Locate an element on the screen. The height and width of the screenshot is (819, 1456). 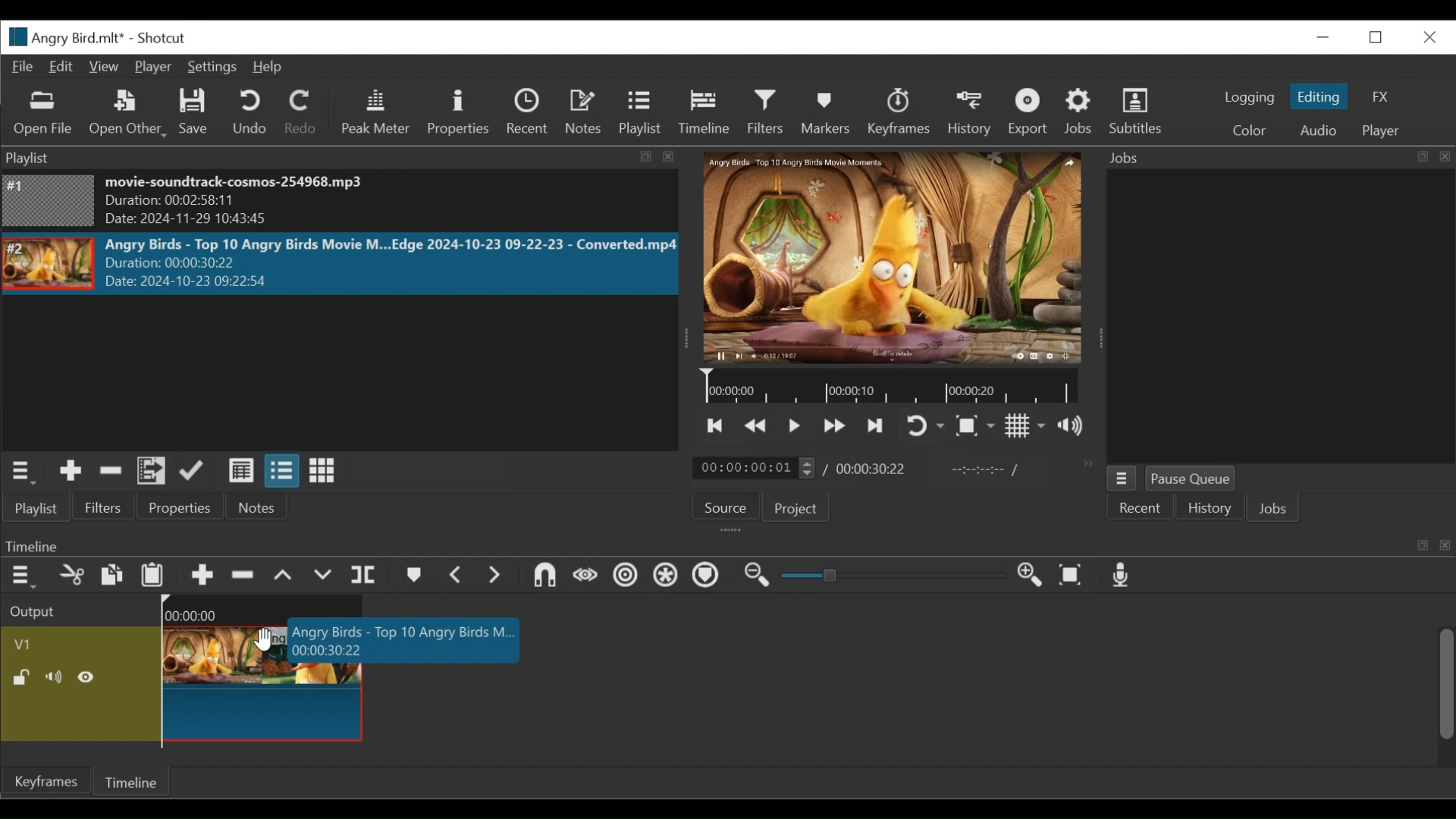
Ripple all tracks is located at coordinates (667, 578).